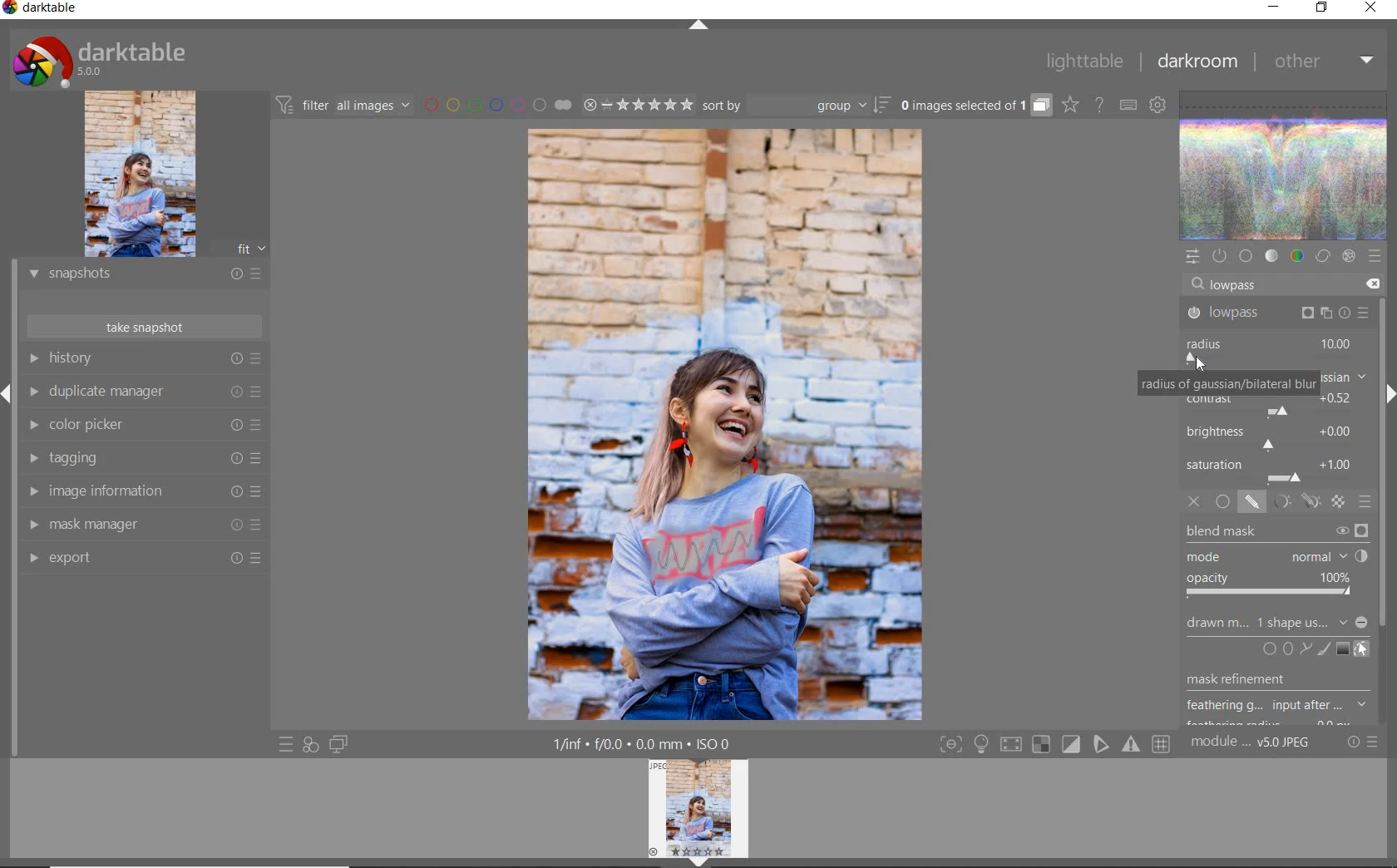 The image size is (1397, 868). Describe the element at coordinates (1375, 256) in the screenshot. I see `presets` at that location.